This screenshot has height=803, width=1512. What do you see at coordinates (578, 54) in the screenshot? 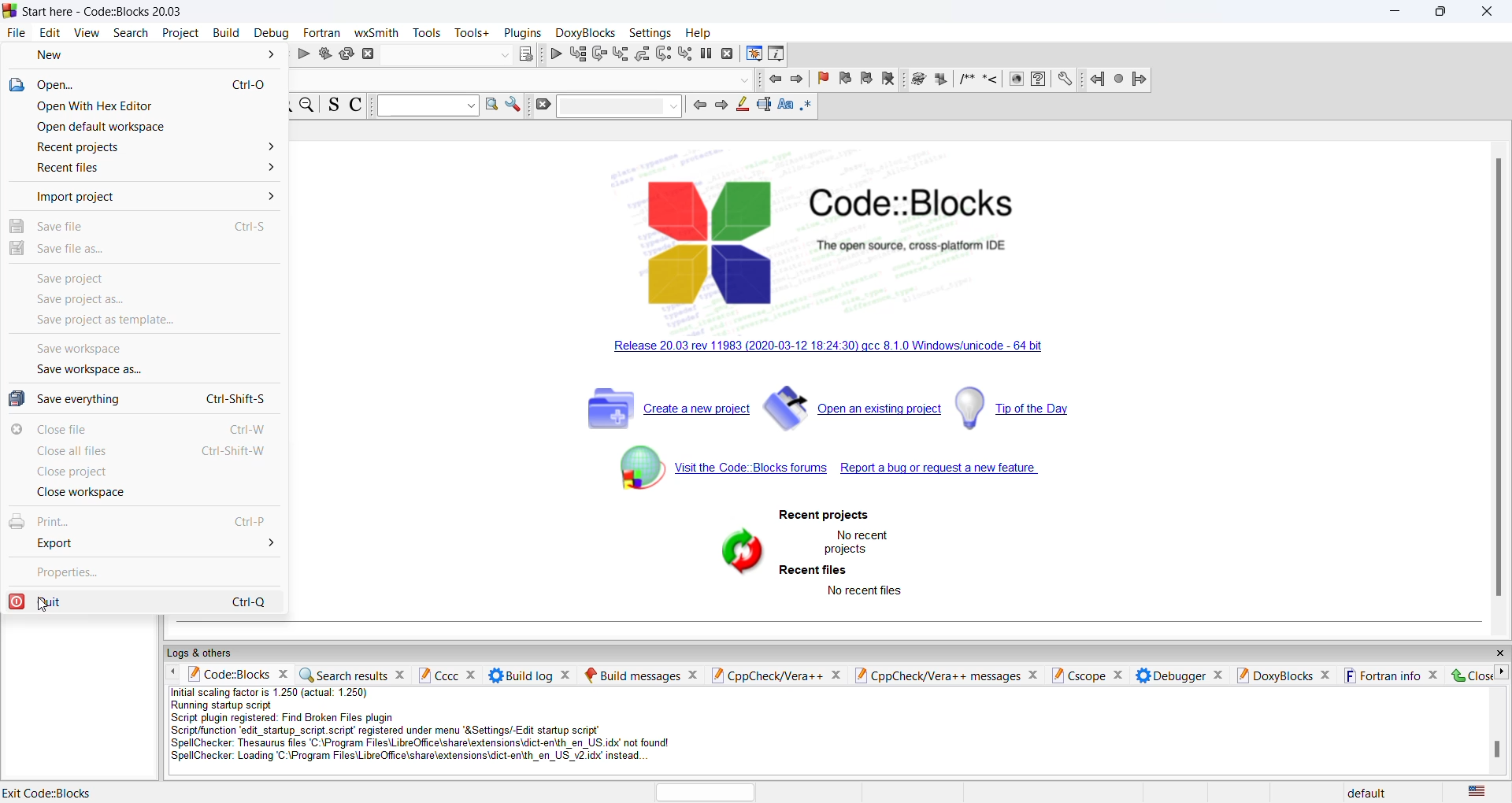
I see `run to cursor` at bounding box center [578, 54].